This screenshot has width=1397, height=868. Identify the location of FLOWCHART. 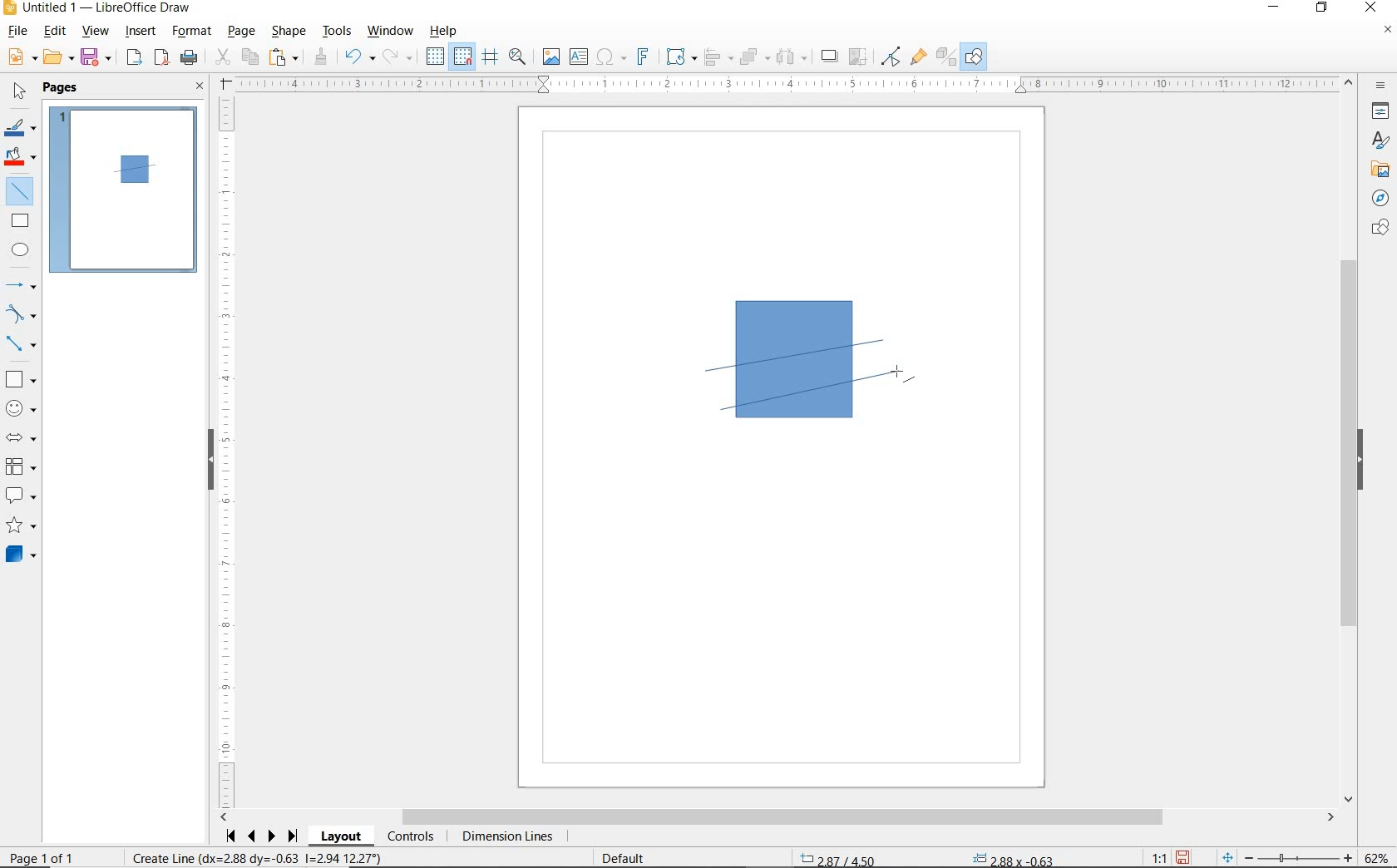
(24, 466).